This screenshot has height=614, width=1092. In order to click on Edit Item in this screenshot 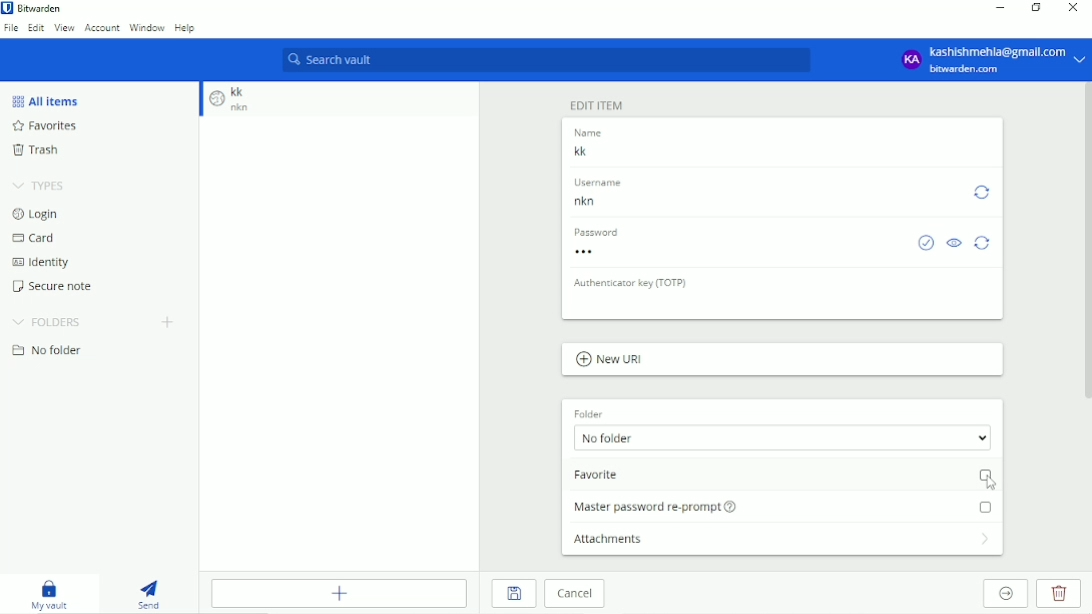, I will do `click(597, 105)`.